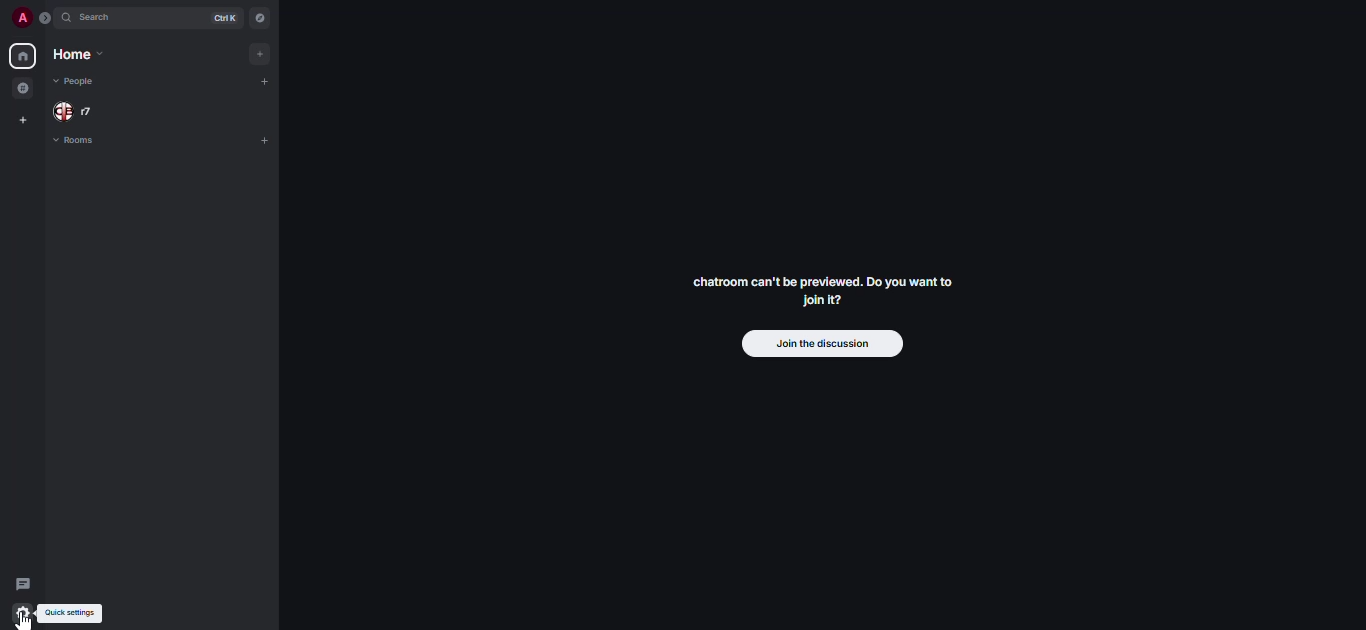 The image size is (1366, 630). Describe the element at coordinates (221, 18) in the screenshot. I see `ctrl K` at that location.